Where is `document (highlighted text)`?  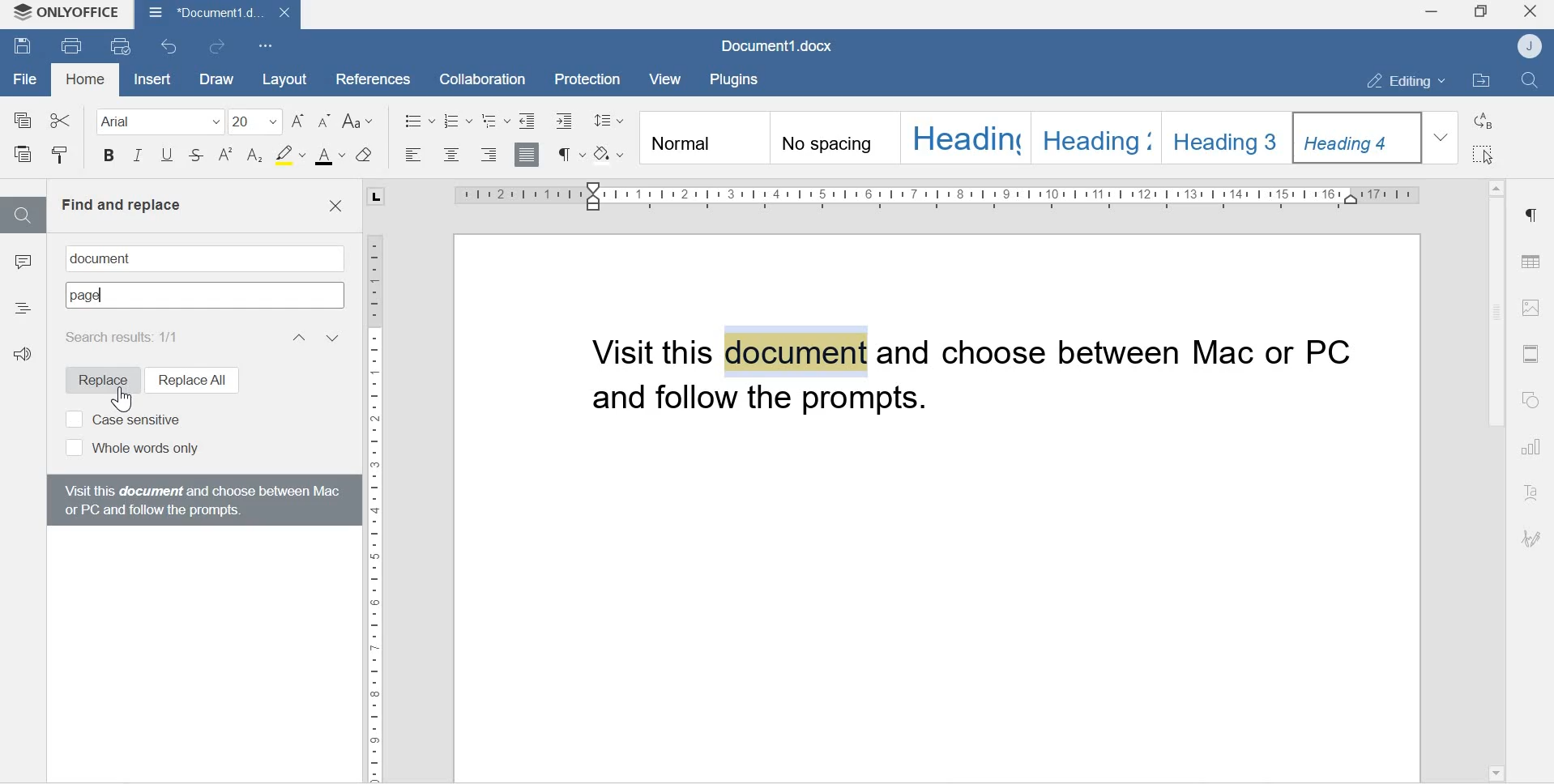
document (highlighted text) is located at coordinates (796, 351).